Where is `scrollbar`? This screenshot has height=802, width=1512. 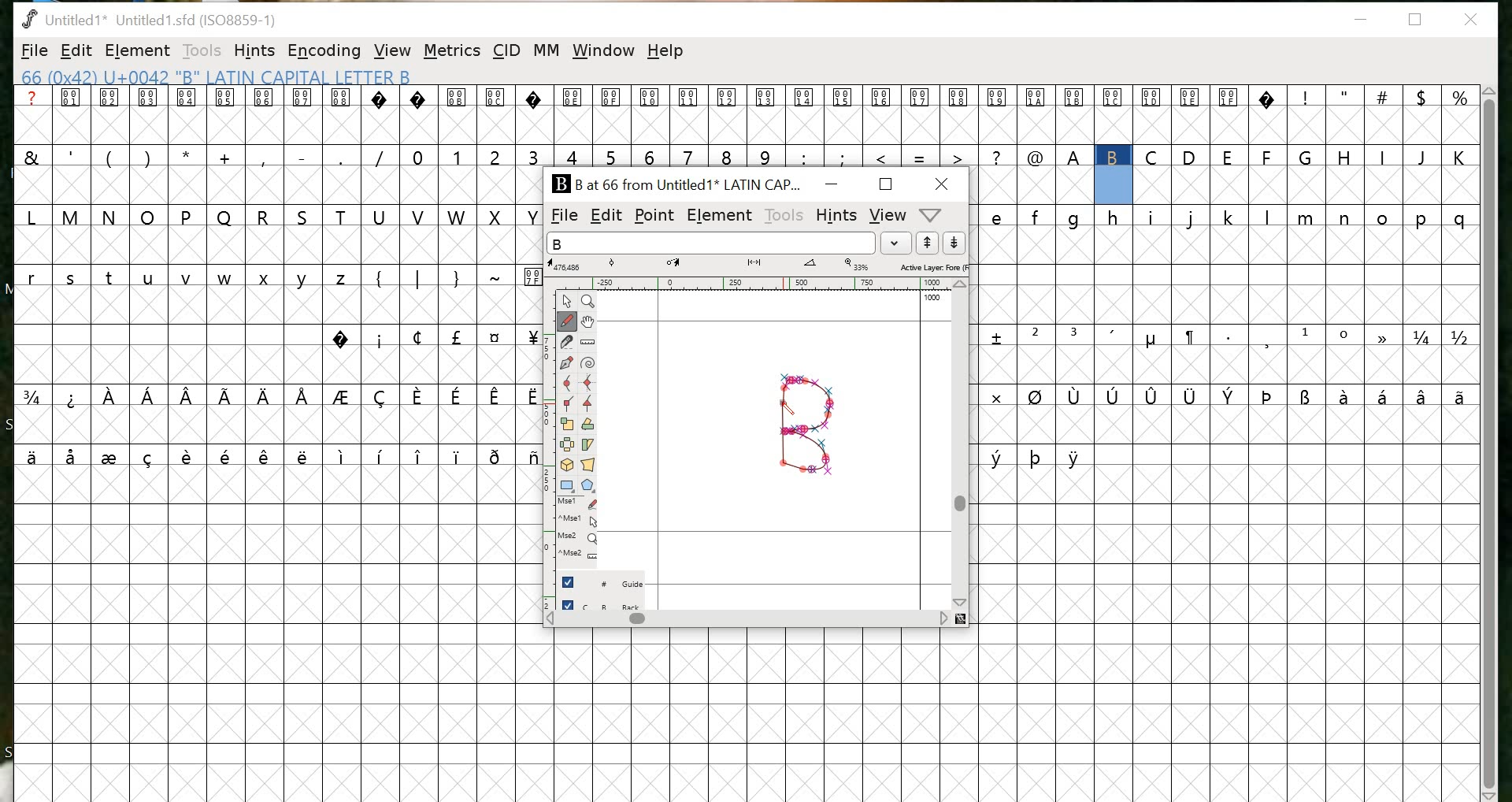
scrollbar is located at coordinates (1489, 442).